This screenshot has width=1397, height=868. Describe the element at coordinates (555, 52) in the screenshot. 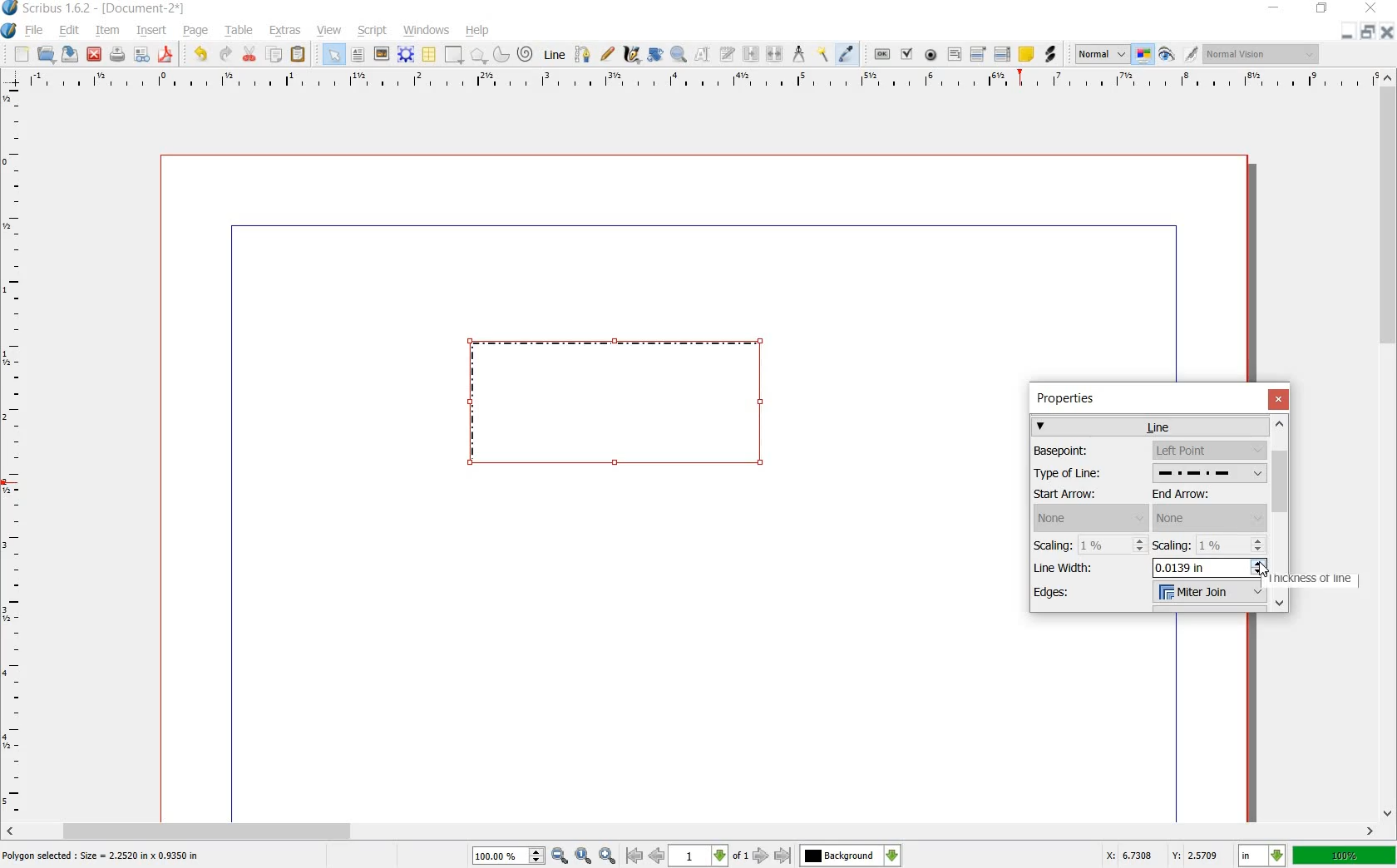

I see `LINE` at that location.